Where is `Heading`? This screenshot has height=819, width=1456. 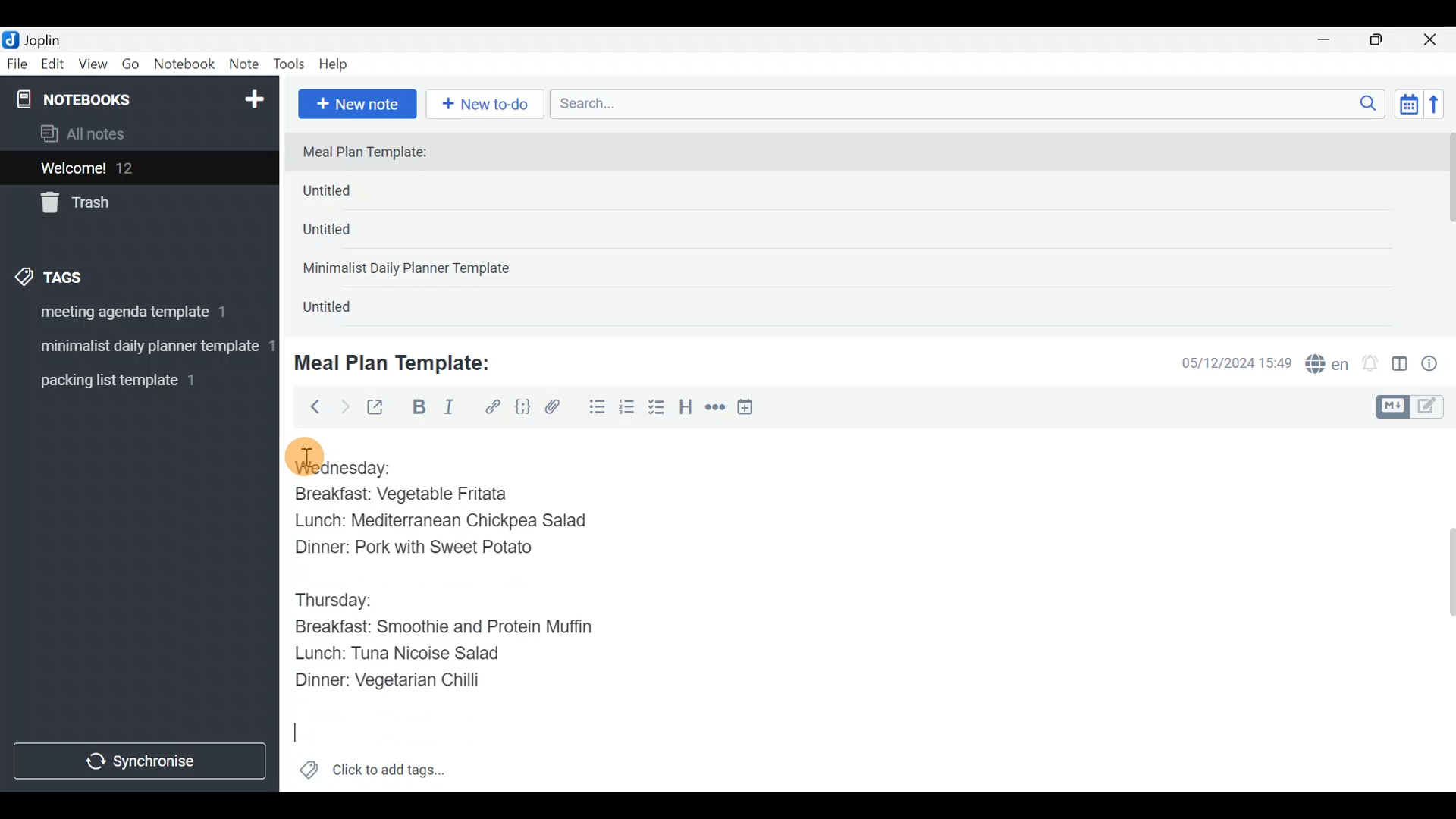
Heading is located at coordinates (686, 409).